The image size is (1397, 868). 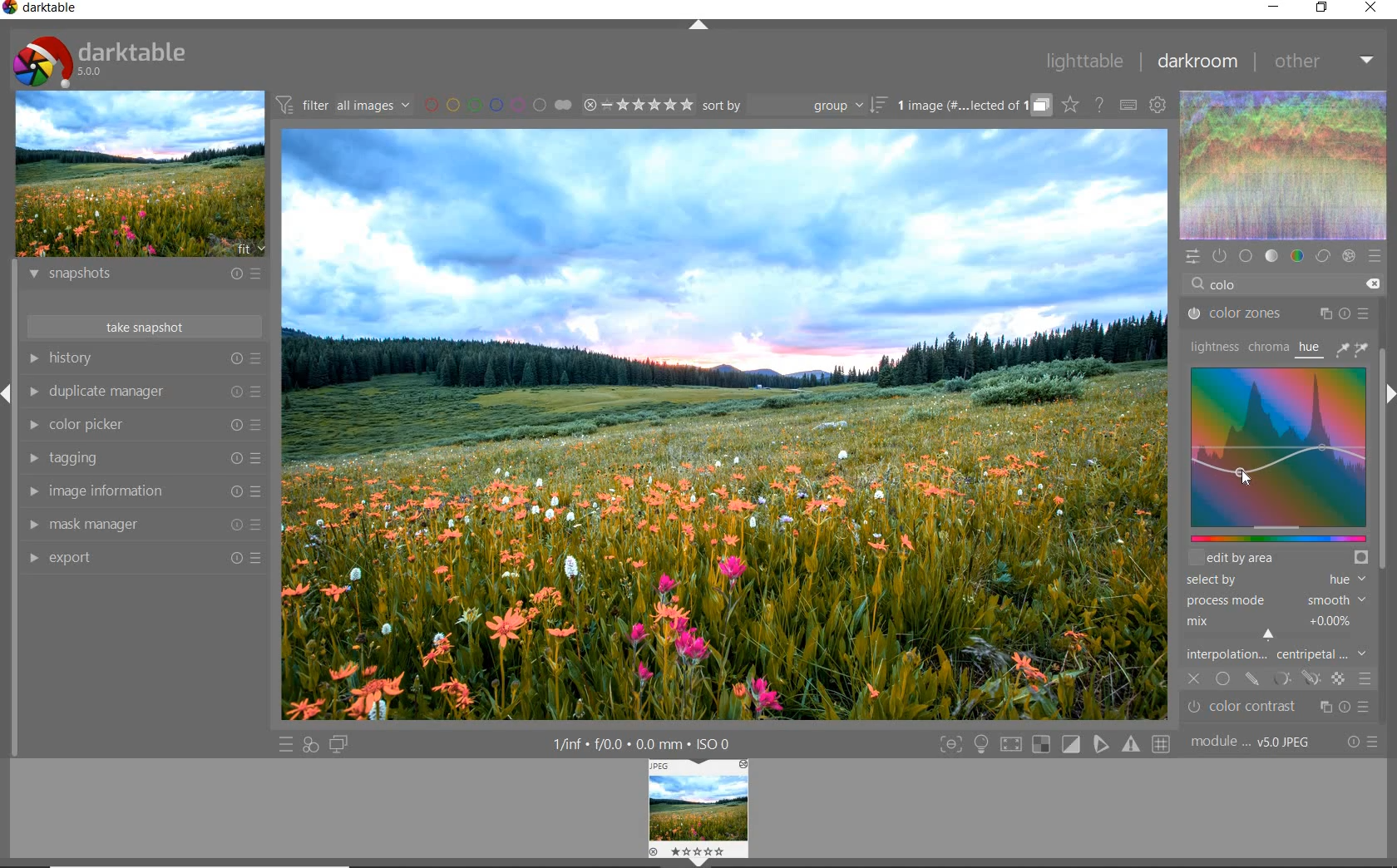 I want to click on export, so click(x=142, y=557).